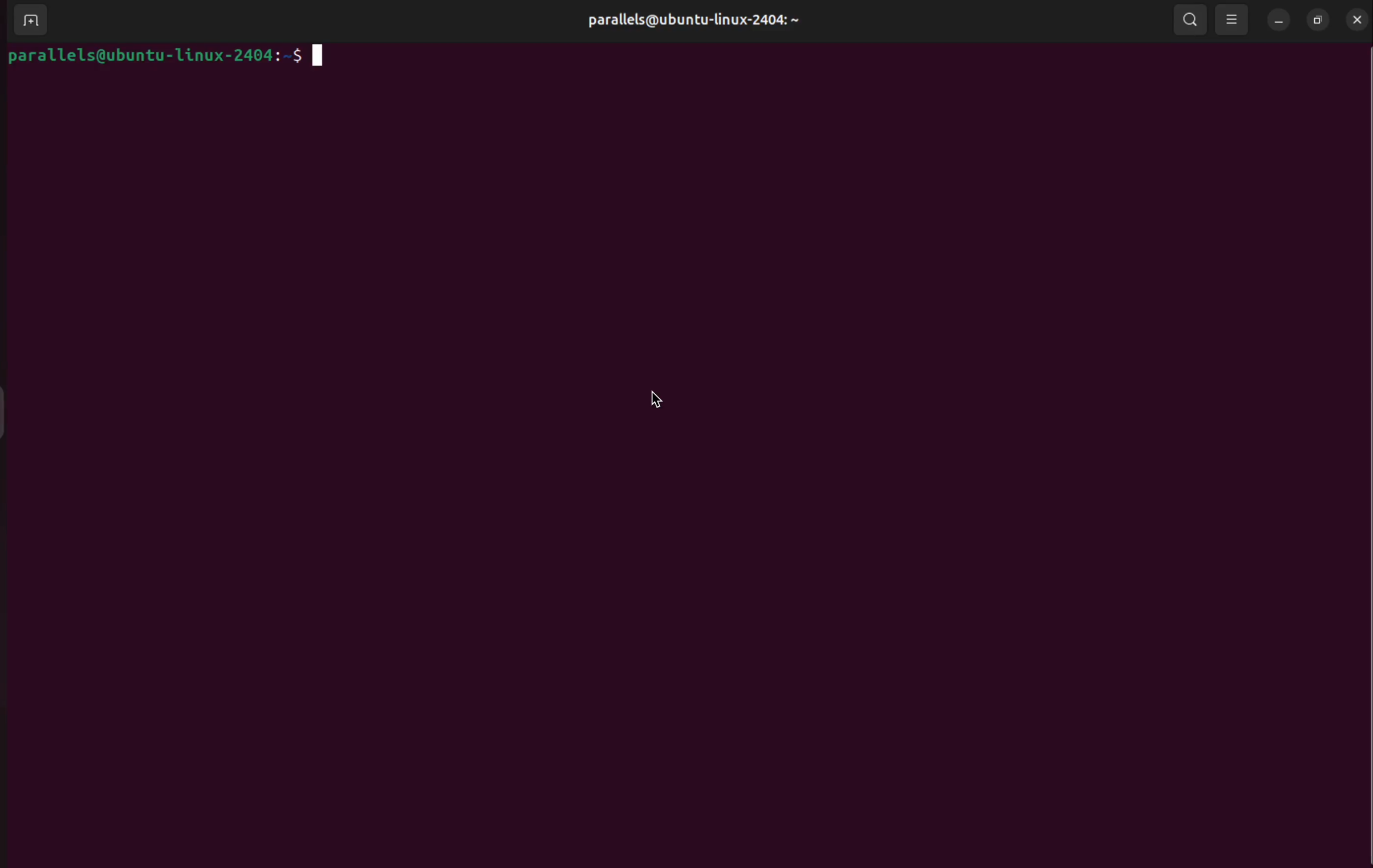  Describe the element at coordinates (652, 394) in the screenshot. I see `cursor` at that location.